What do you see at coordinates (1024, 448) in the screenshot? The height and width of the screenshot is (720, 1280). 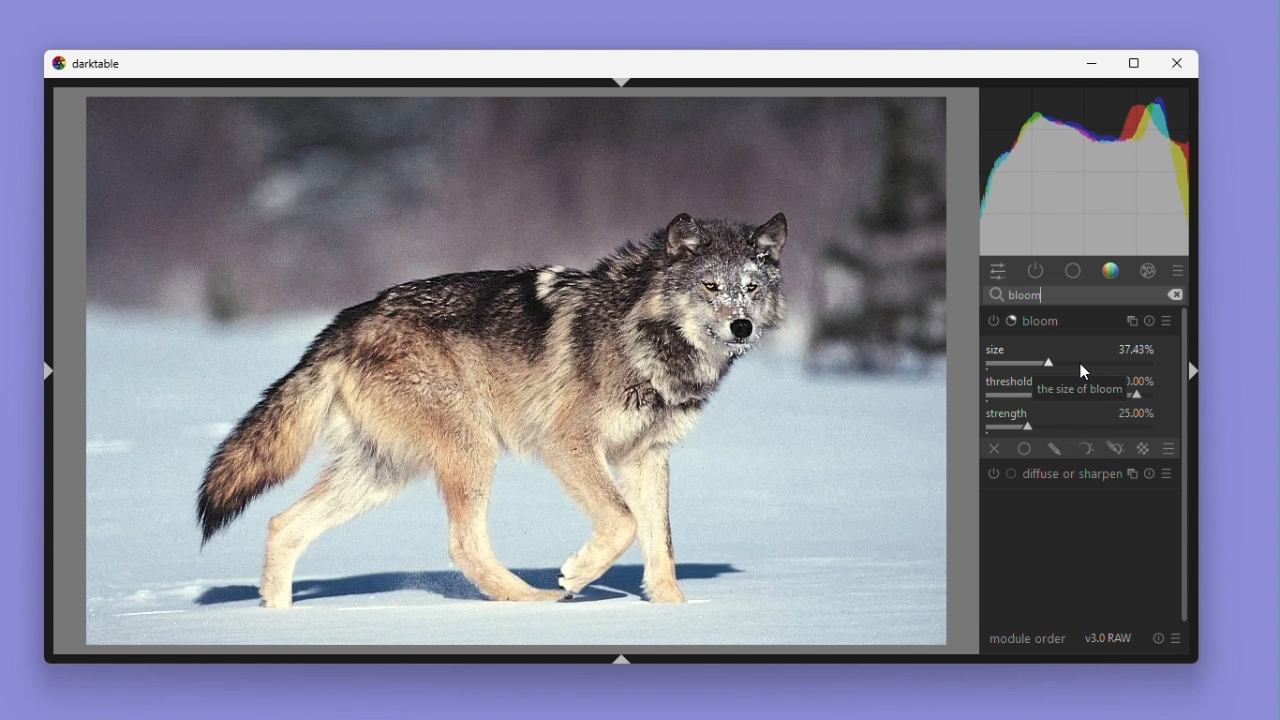 I see `Uniformly` at bounding box center [1024, 448].